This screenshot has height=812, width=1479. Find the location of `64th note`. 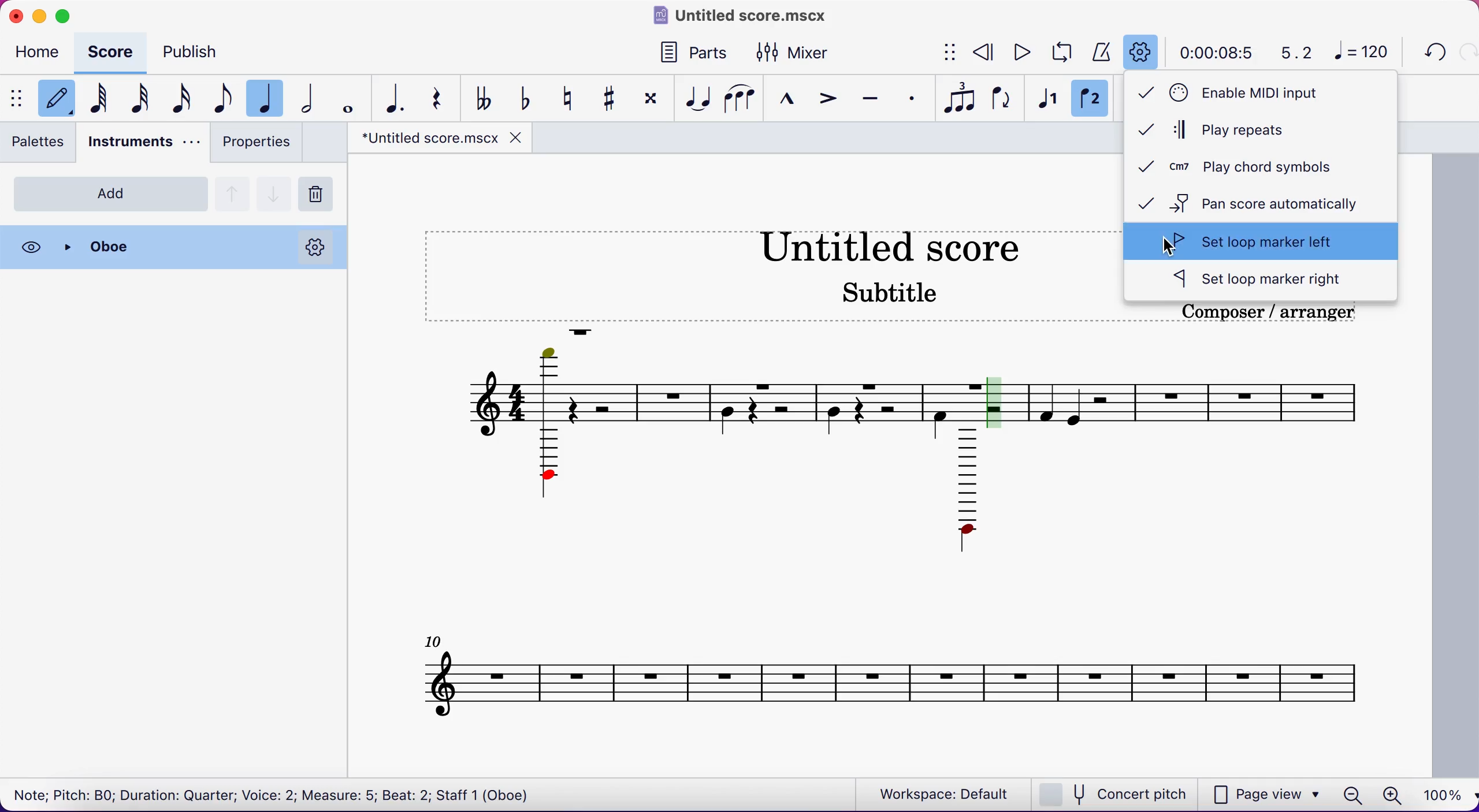

64th note is located at coordinates (97, 100).